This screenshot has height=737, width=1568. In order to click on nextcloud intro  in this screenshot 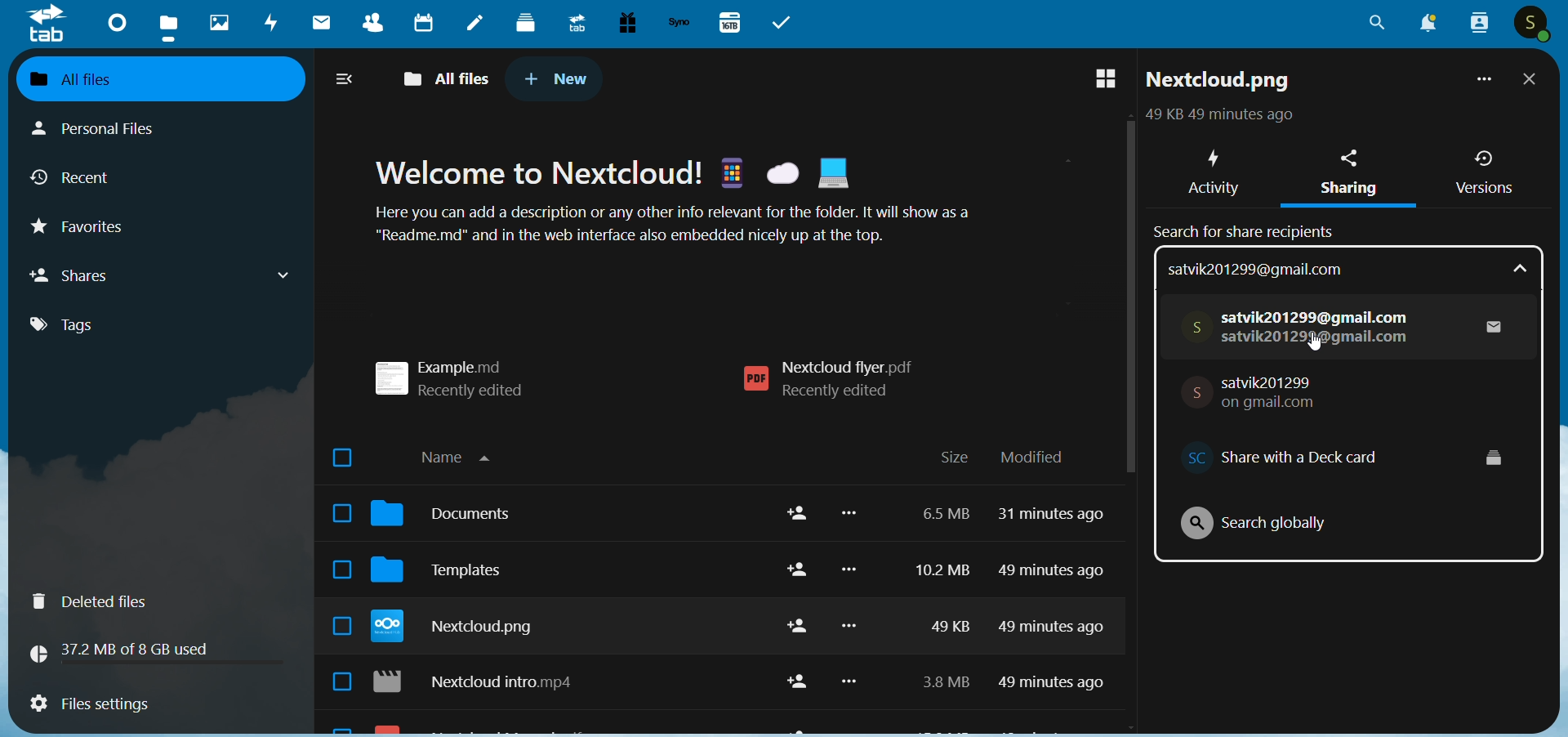, I will do `click(483, 685)`.